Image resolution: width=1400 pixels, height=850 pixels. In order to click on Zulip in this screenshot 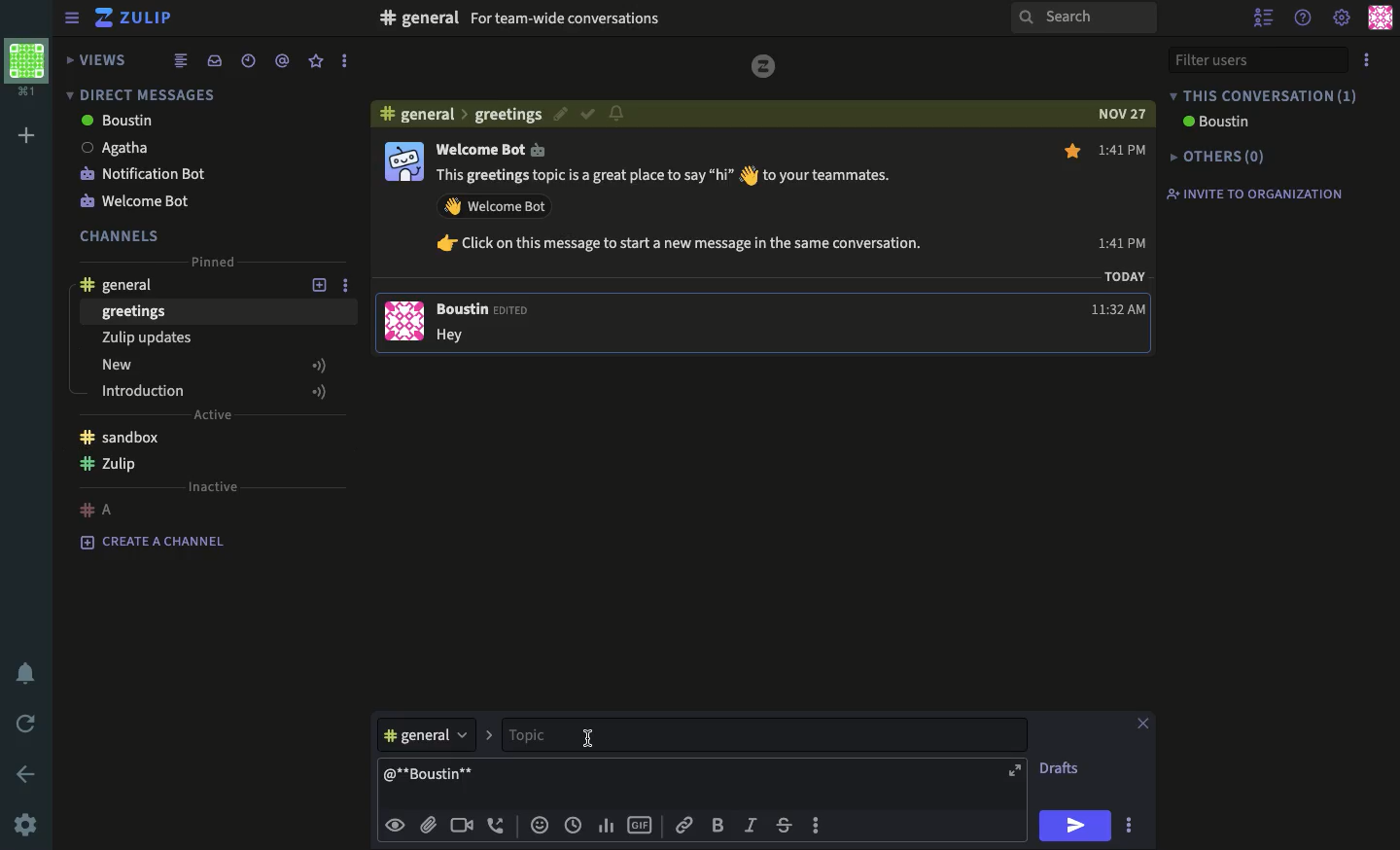, I will do `click(134, 18)`.